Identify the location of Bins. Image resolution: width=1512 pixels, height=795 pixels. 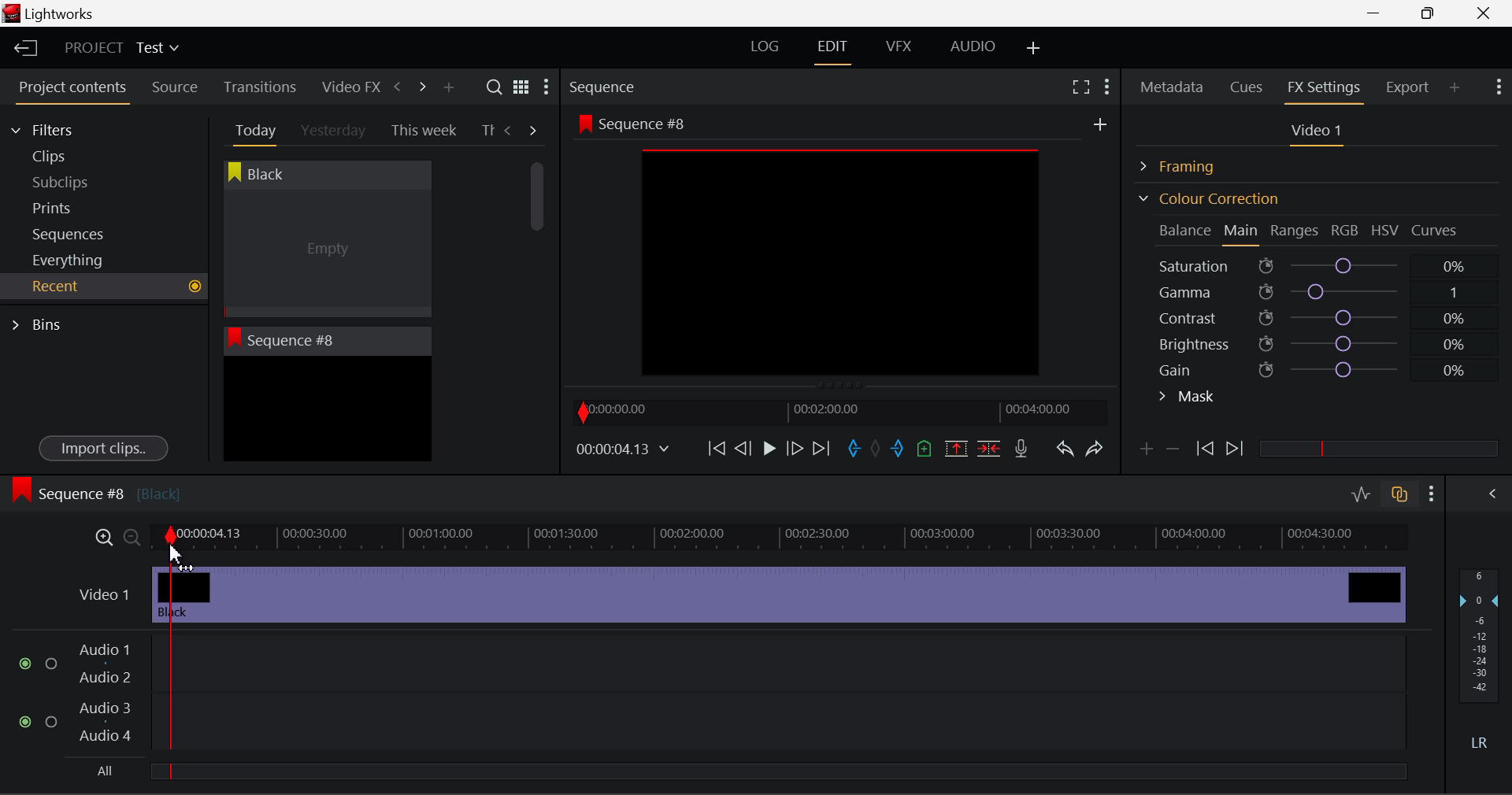
(42, 323).